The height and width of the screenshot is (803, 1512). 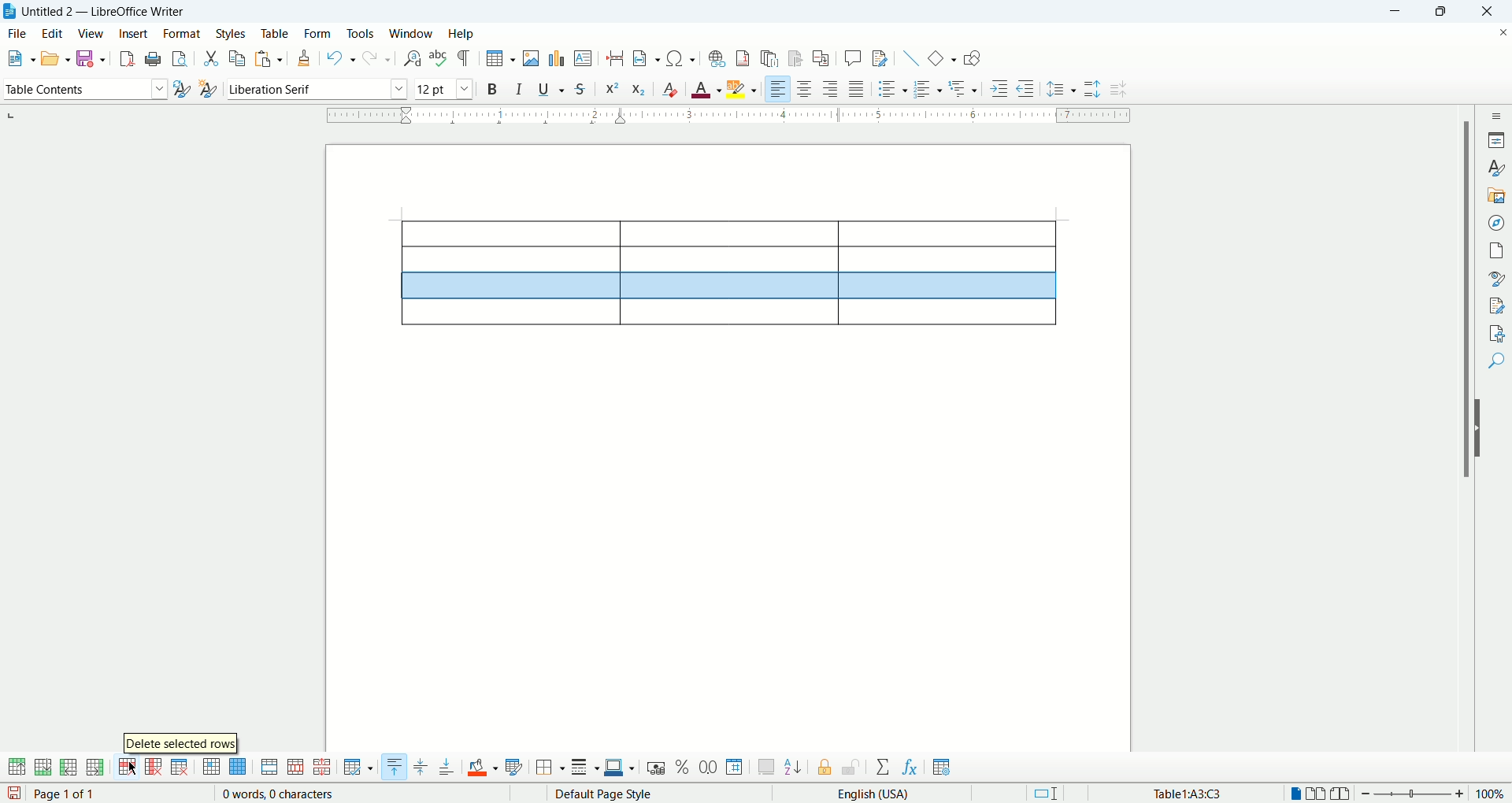 What do you see at coordinates (270, 768) in the screenshot?
I see `merge cells` at bounding box center [270, 768].